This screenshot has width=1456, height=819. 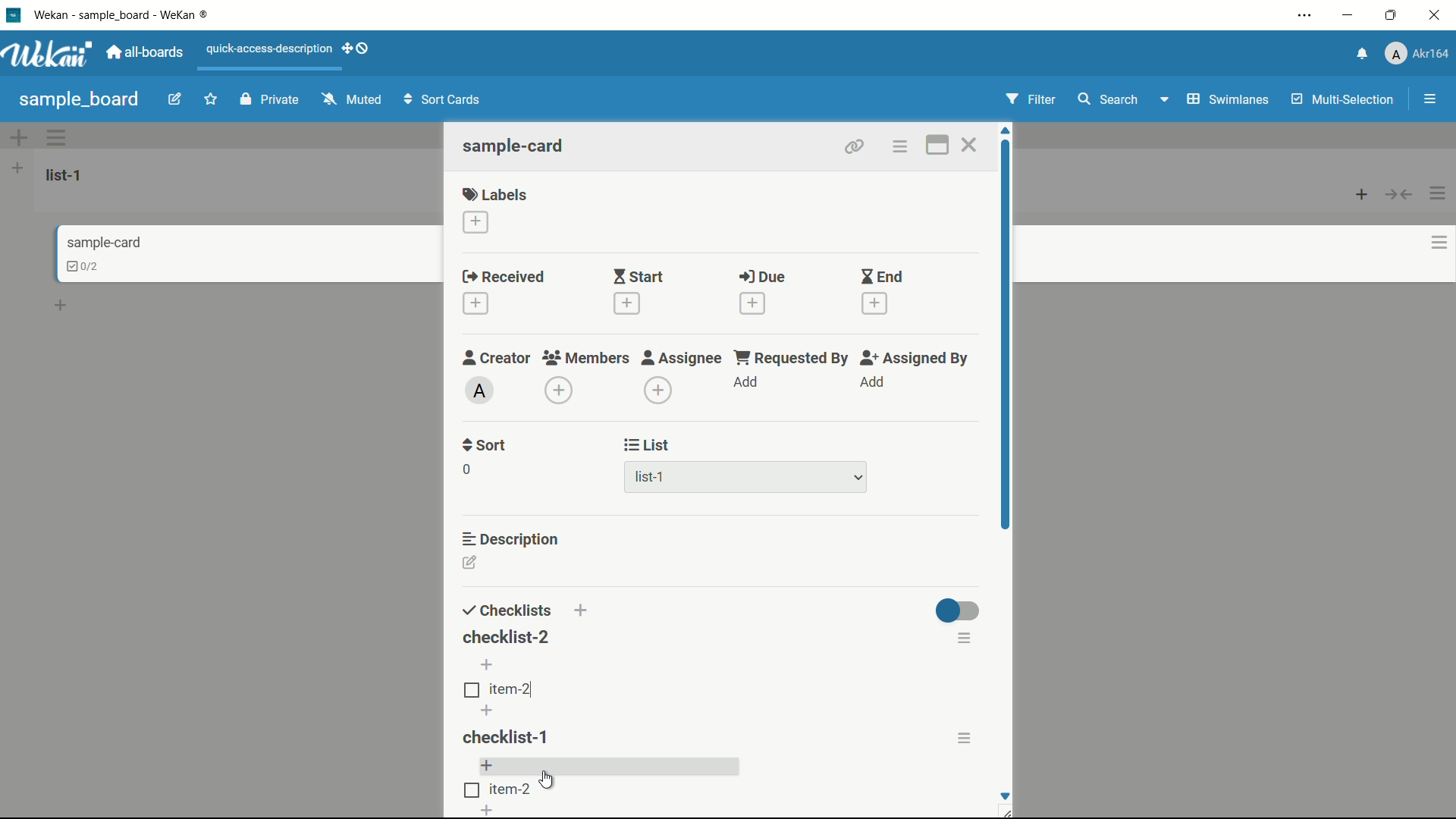 What do you see at coordinates (1439, 243) in the screenshot?
I see `card actions` at bounding box center [1439, 243].